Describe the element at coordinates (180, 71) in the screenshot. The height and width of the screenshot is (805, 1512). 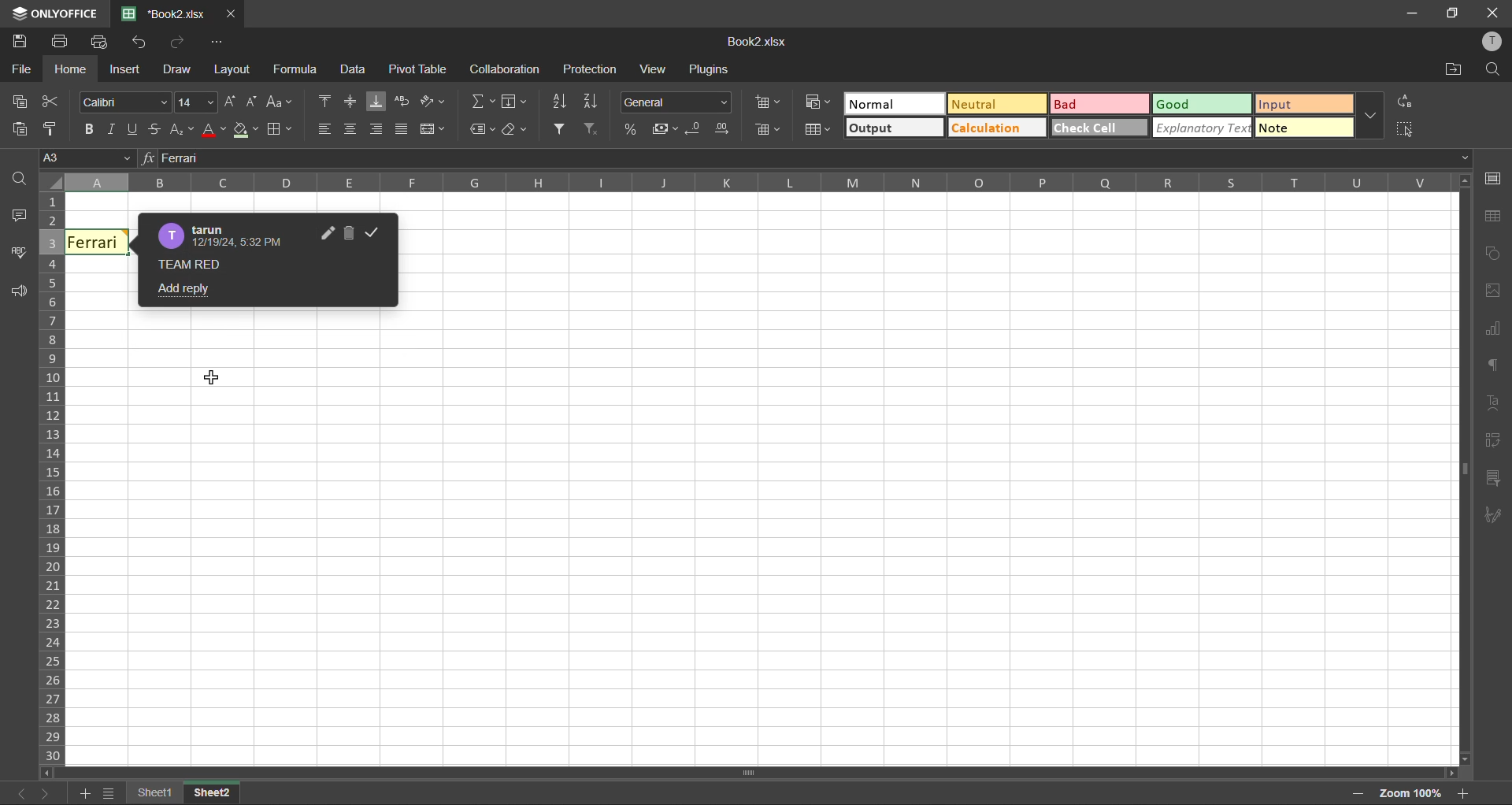
I see `draw` at that location.